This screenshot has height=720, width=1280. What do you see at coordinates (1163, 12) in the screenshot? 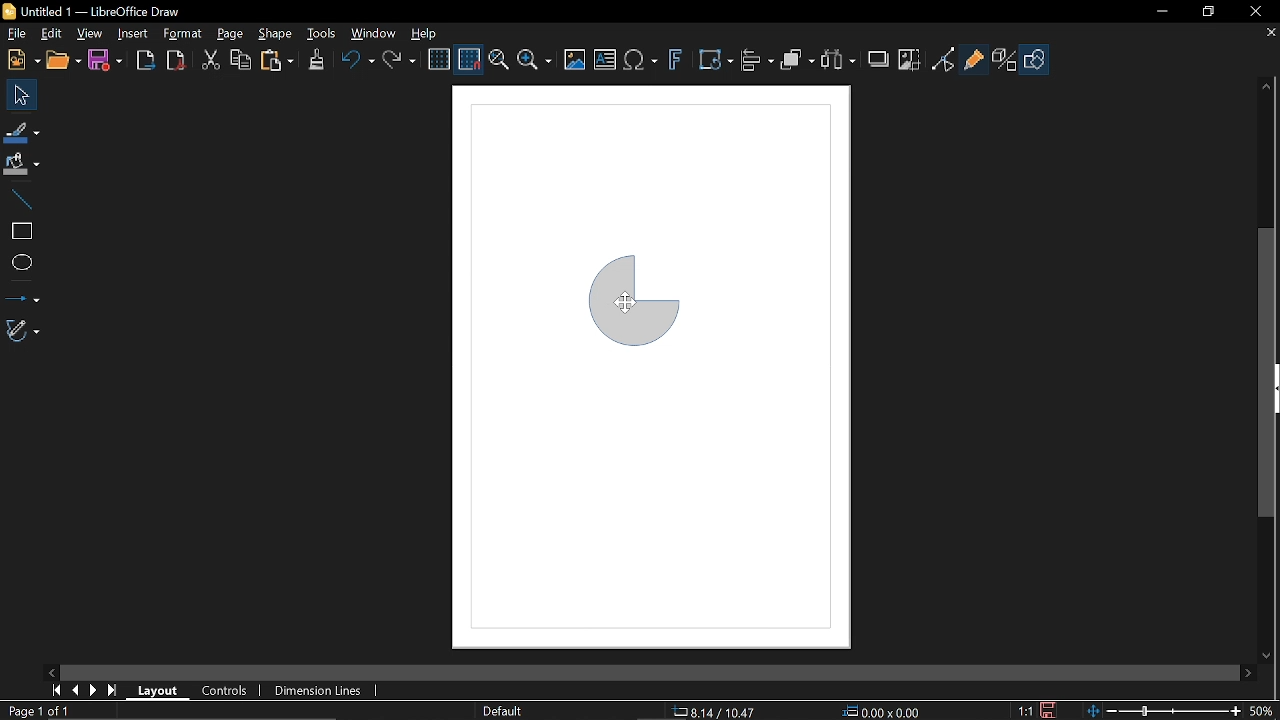
I see `Minimize` at bounding box center [1163, 12].